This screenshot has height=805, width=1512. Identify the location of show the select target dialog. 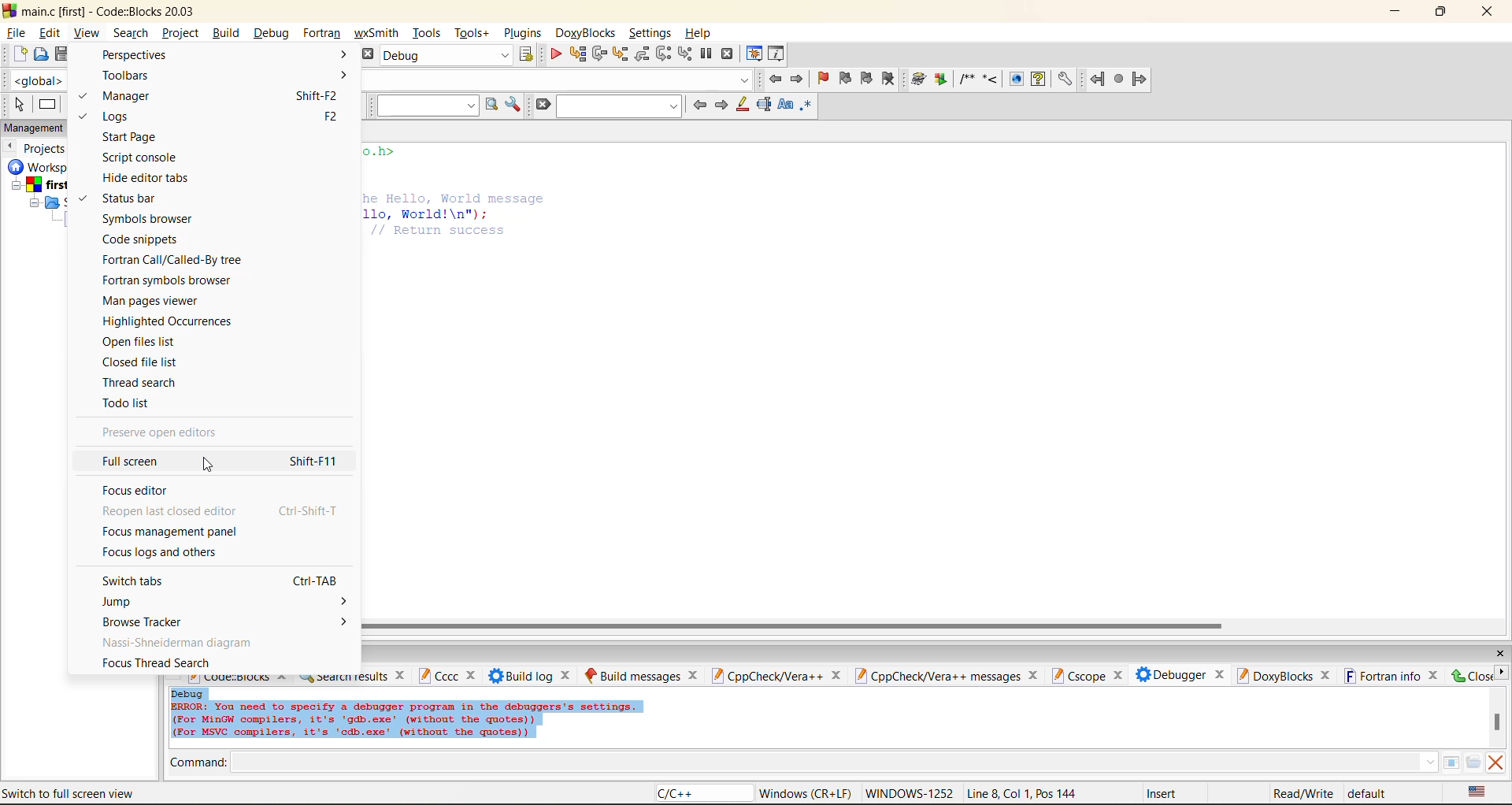
(532, 54).